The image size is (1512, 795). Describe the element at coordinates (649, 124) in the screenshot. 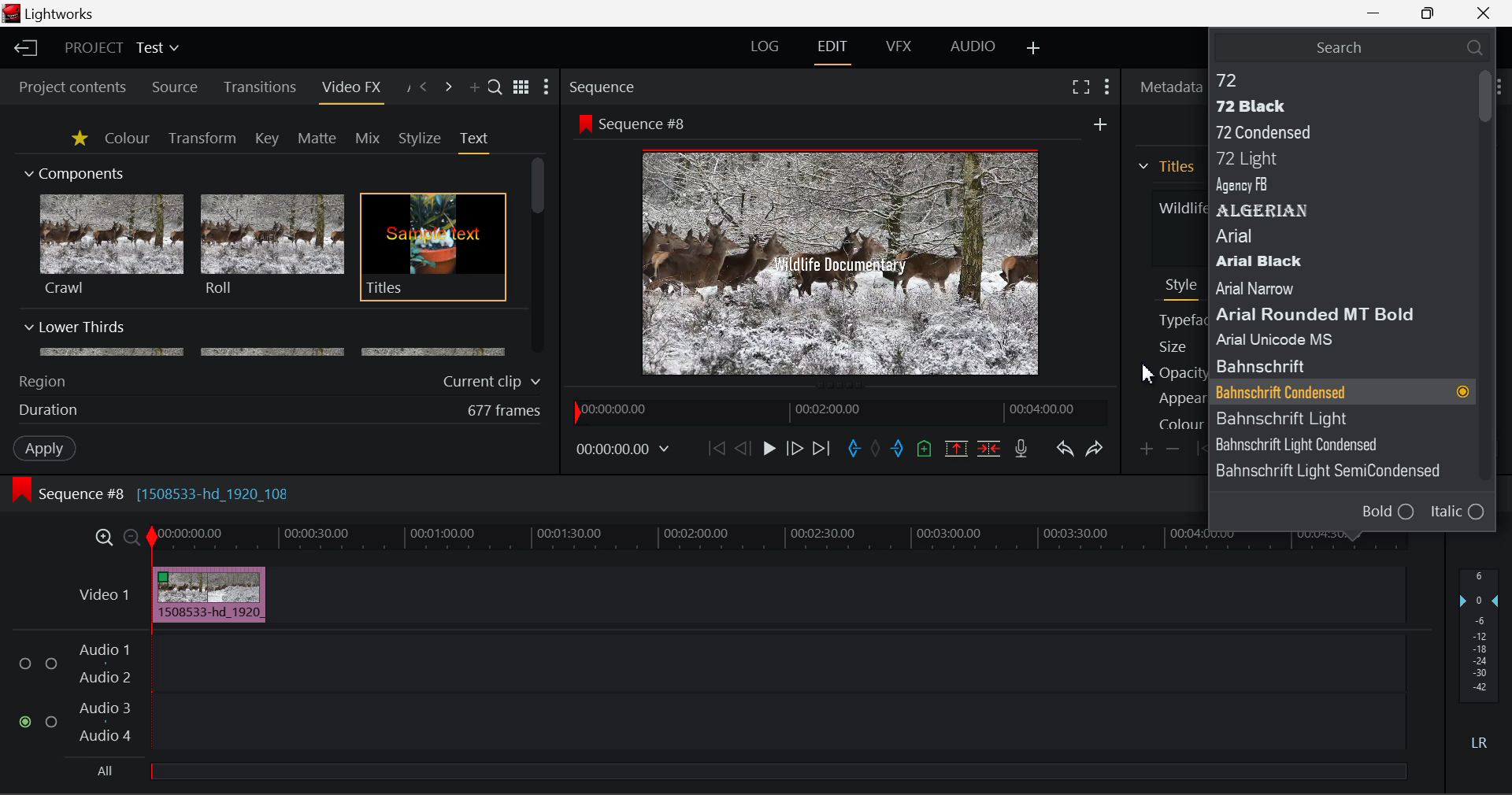

I see `Sequence #8` at that location.